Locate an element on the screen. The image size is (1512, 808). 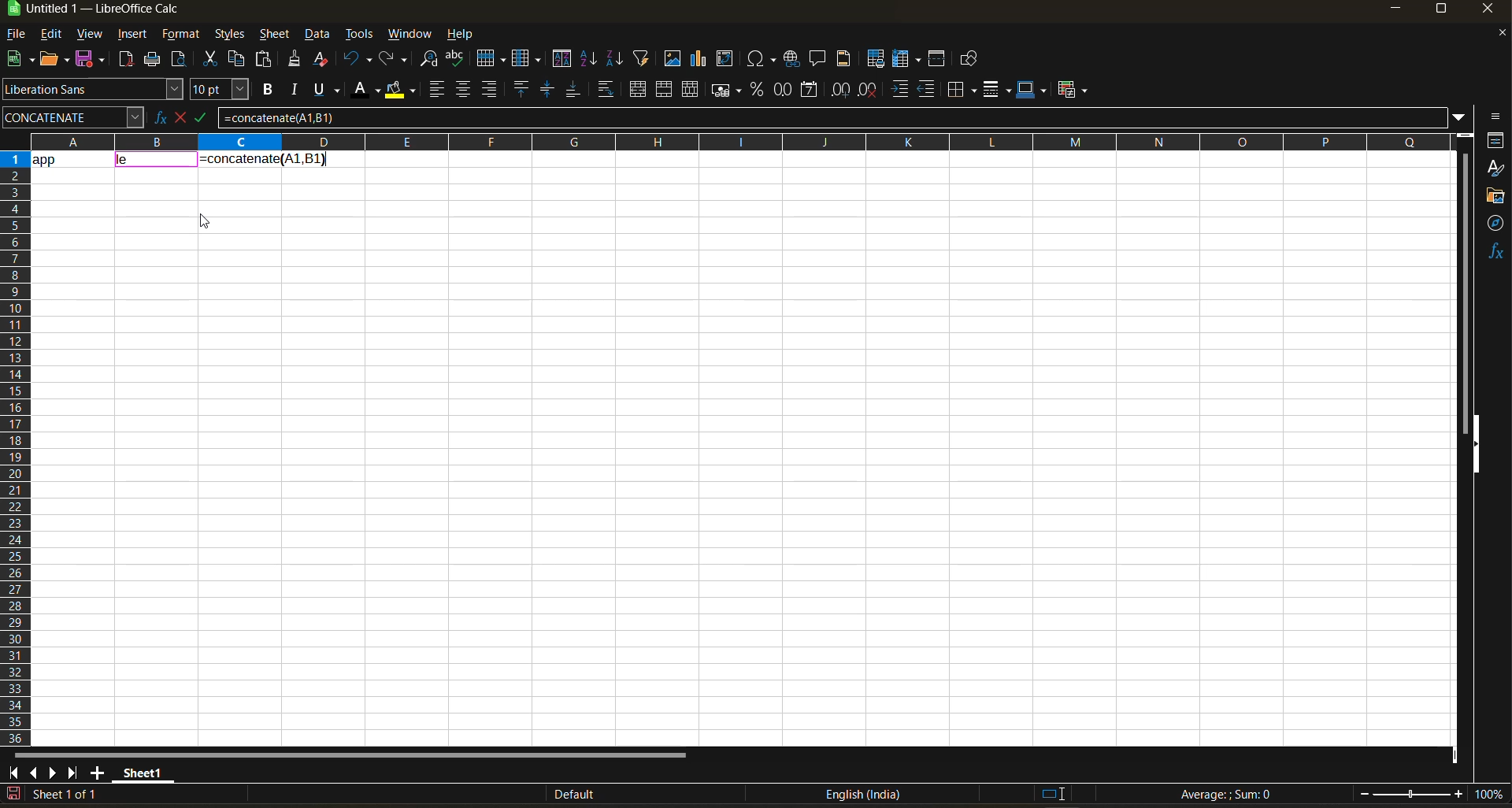
formula is located at coordinates (263, 158).